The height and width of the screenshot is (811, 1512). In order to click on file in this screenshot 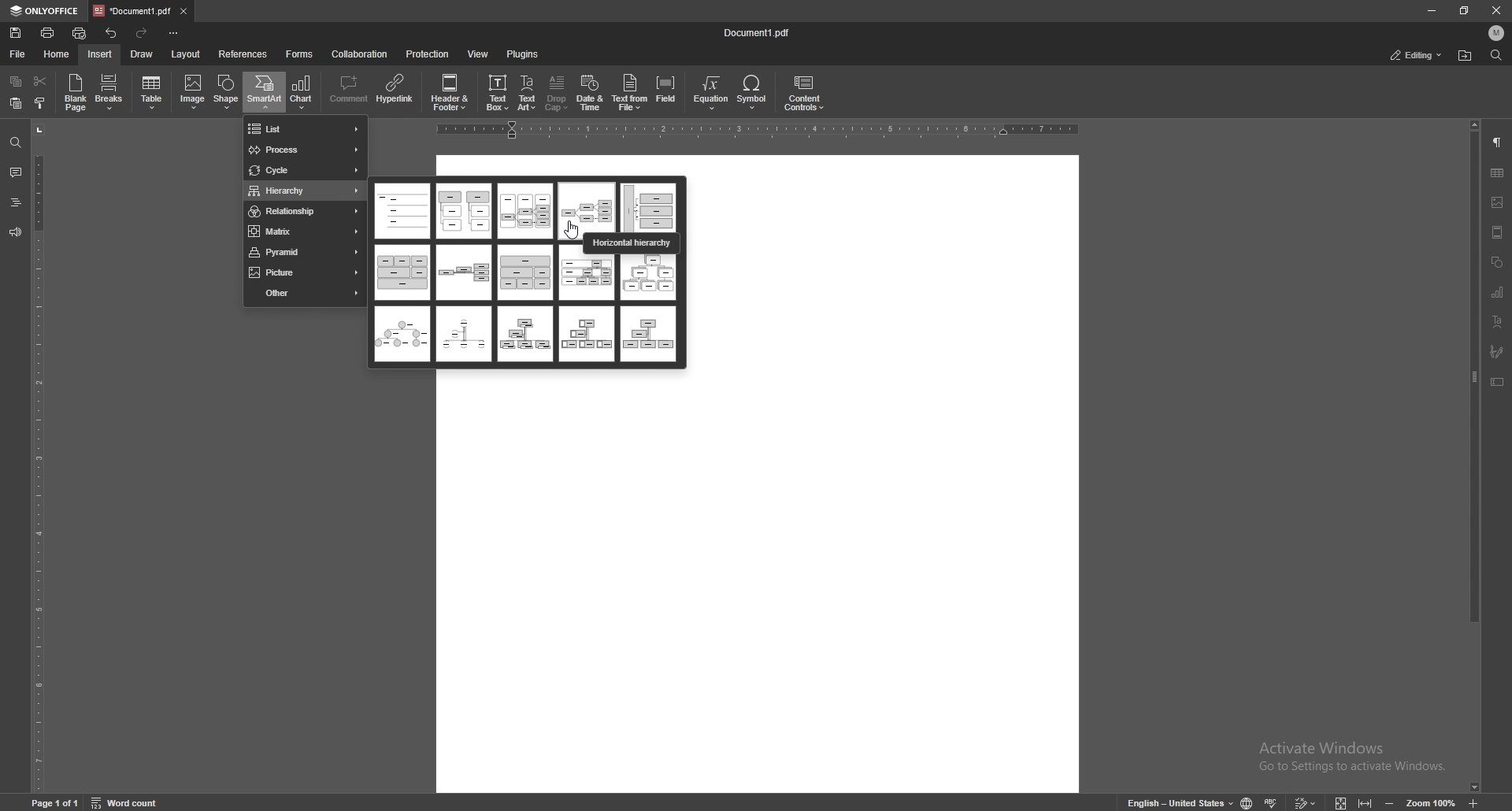, I will do `click(20, 54)`.